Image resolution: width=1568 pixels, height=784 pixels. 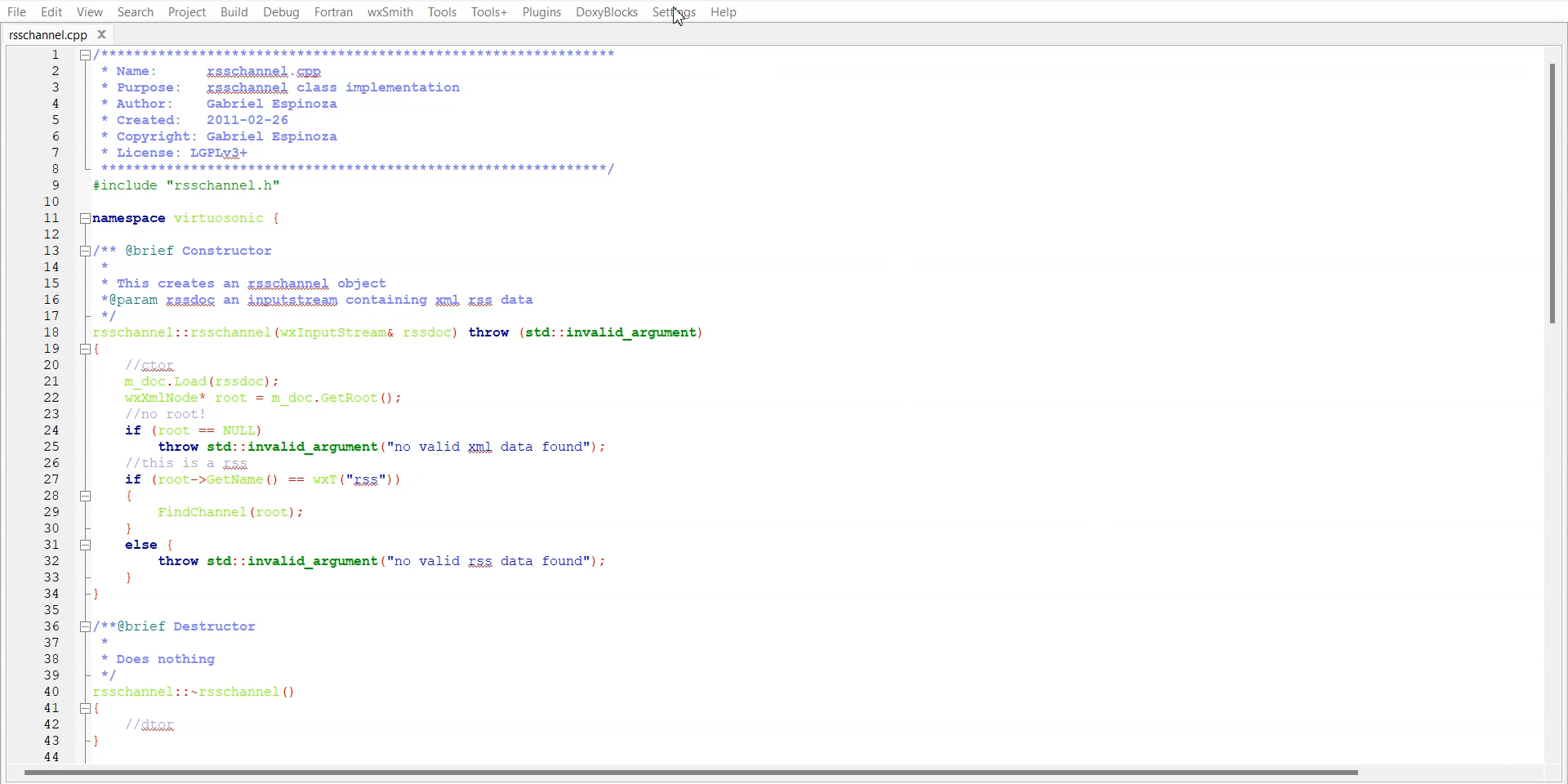 What do you see at coordinates (390, 12) in the screenshot?
I see `wxSmith` at bounding box center [390, 12].